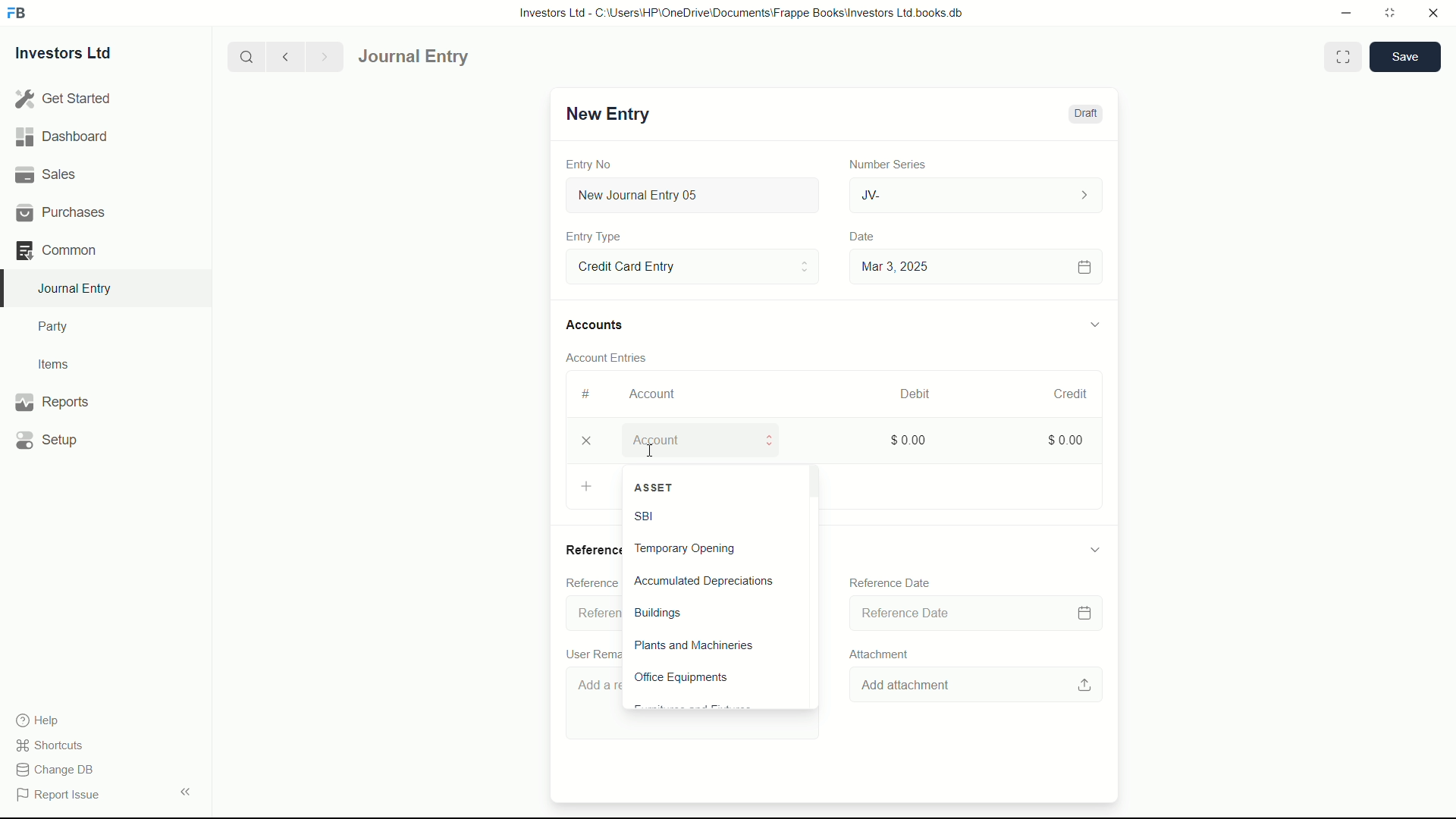 This screenshot has height=819, width=1456. I want to click on Number Series, so click(881, 163).